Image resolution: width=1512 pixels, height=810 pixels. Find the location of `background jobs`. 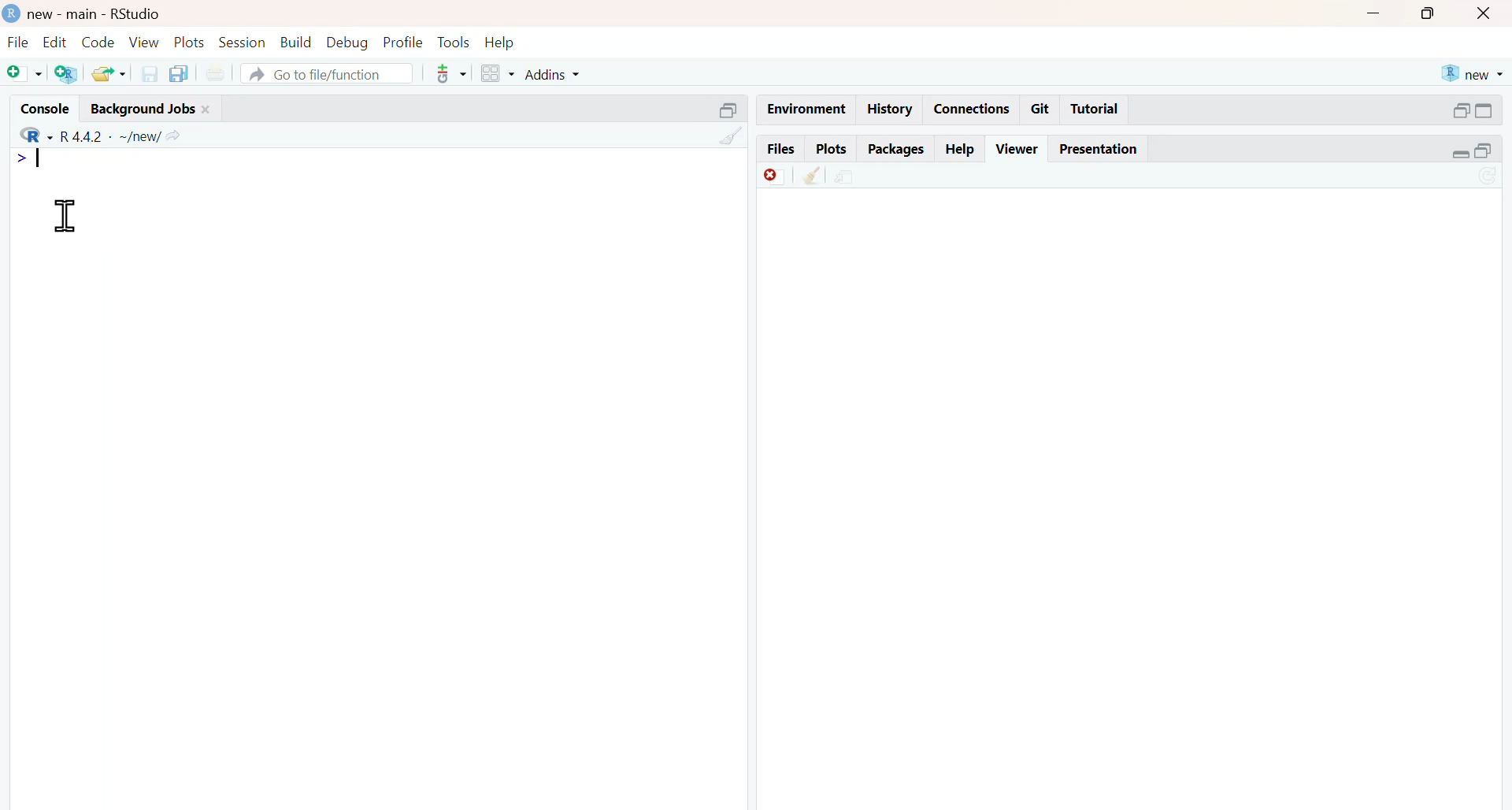

background jobs is located at coordinates (143, 110).